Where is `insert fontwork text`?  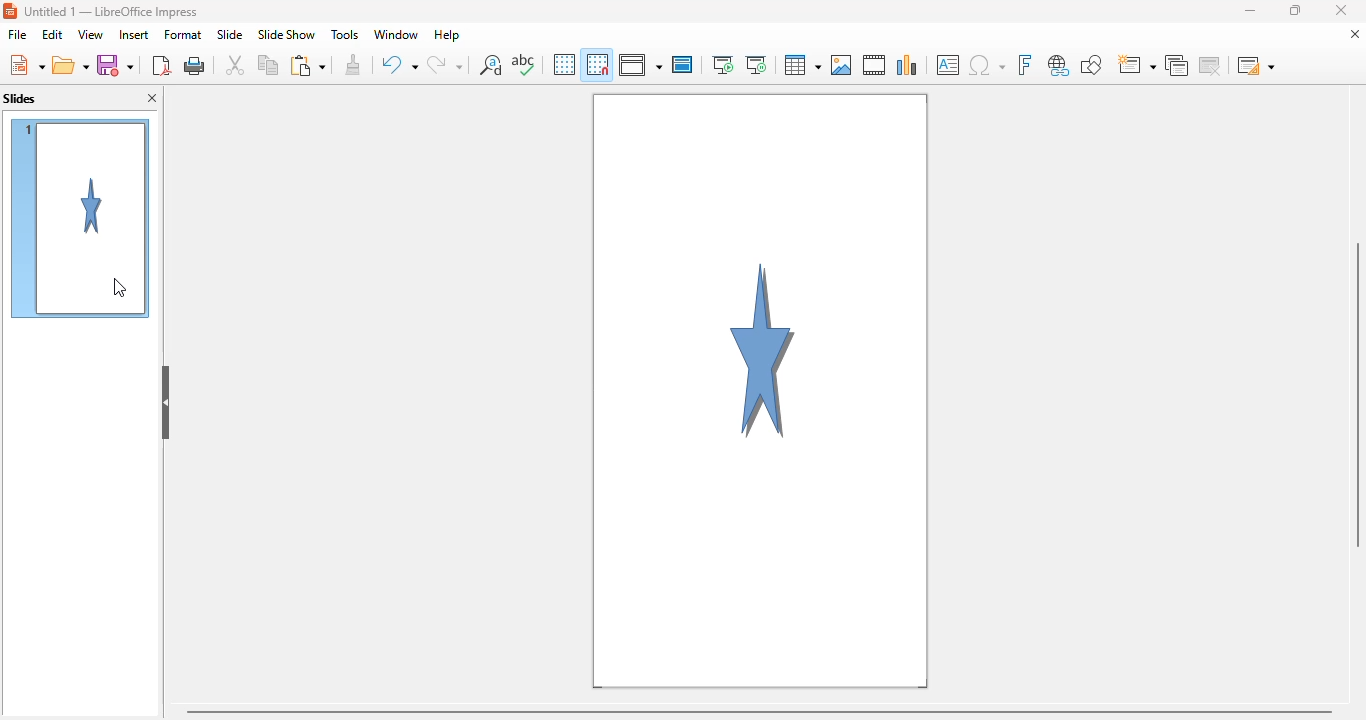
insert fontwork text is located at coordinates (1025, 64).